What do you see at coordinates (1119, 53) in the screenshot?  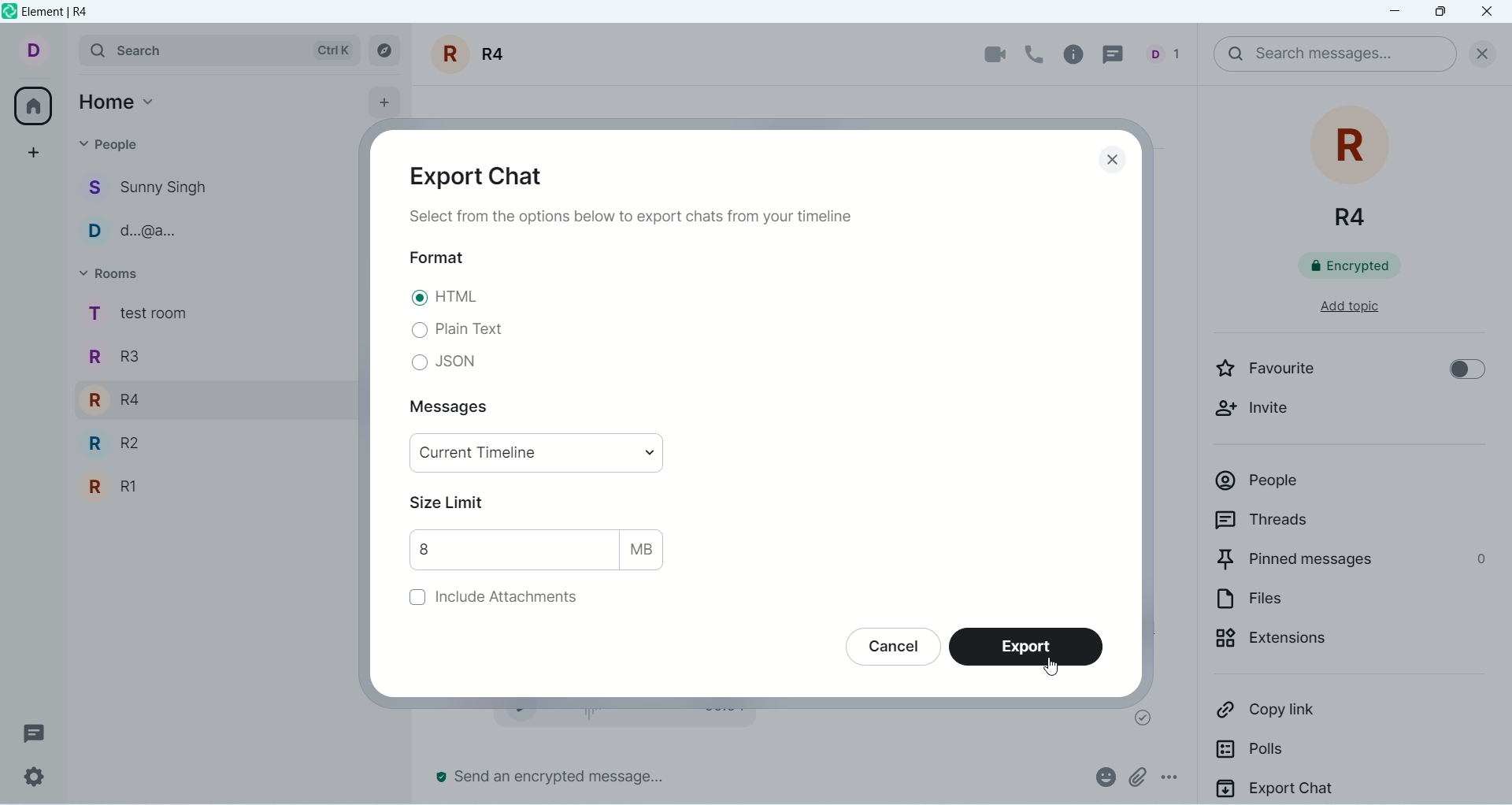 I see `threads` at bounding box center [1119, 53].